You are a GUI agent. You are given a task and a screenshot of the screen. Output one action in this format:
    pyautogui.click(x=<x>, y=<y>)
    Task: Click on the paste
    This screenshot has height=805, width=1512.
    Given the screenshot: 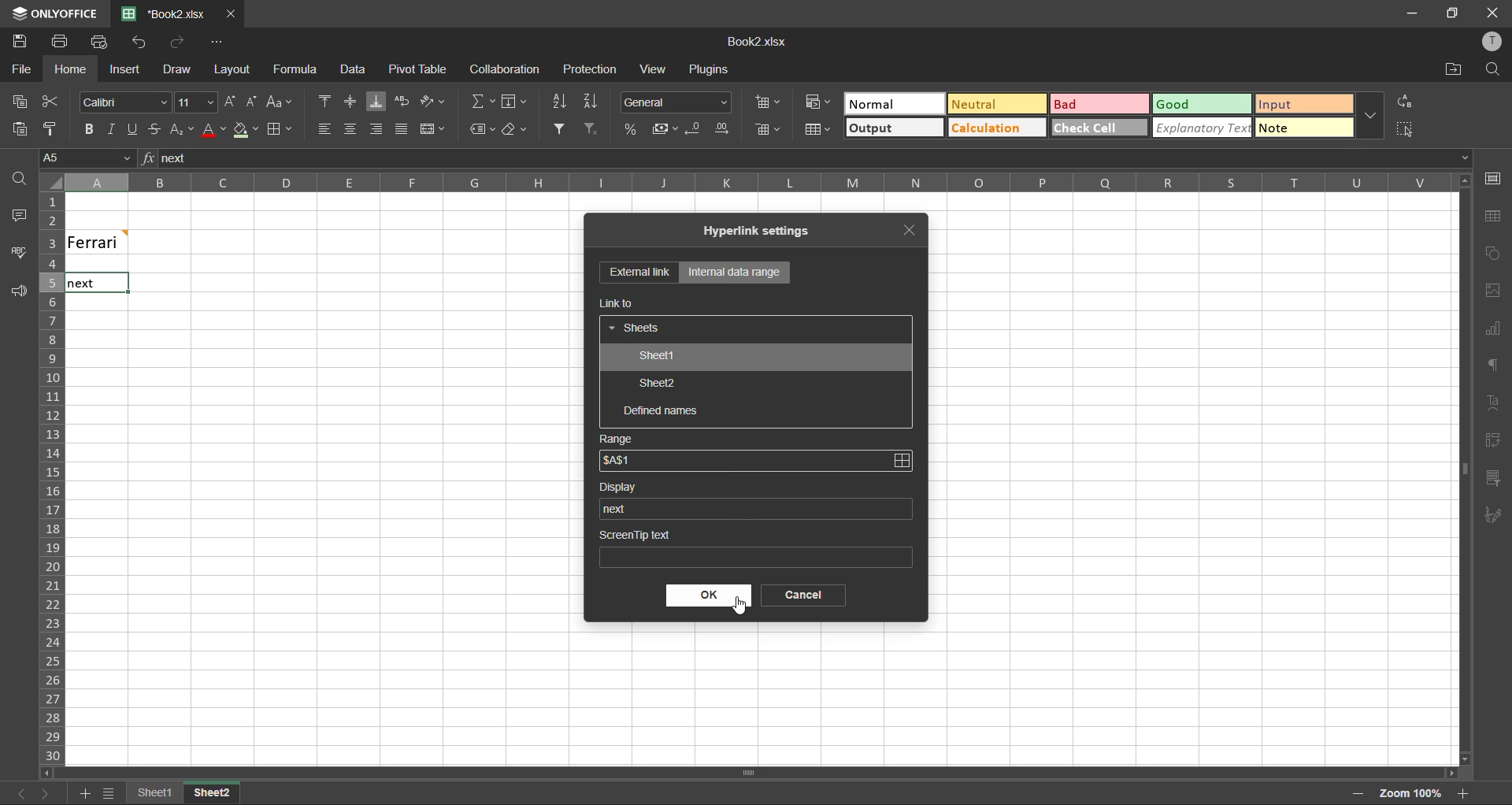 What is the action you would take?
    pyautogui.click(x=15, y=128)
    